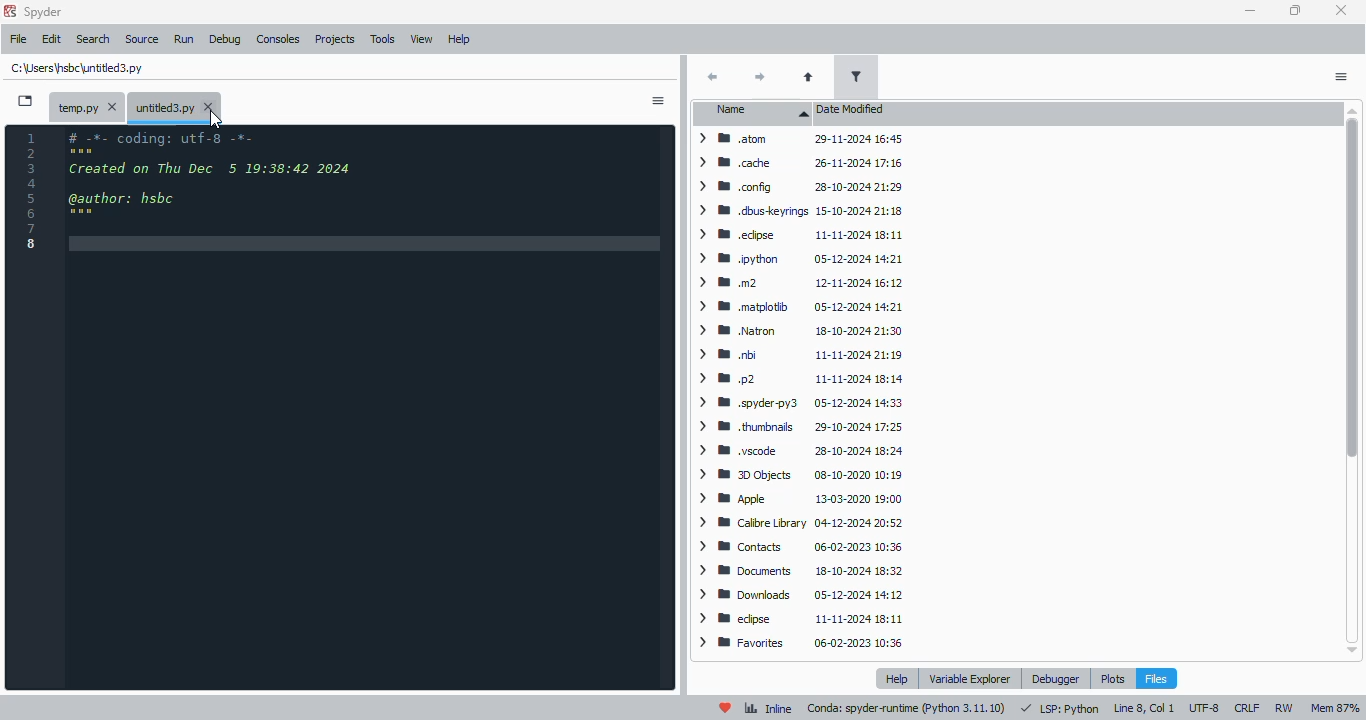  What do you see at coordinates (796, 402) in the screenshot?
I see `> BW spyderpy3 05-12-2024 14:33` at bounding box center [796, 402].